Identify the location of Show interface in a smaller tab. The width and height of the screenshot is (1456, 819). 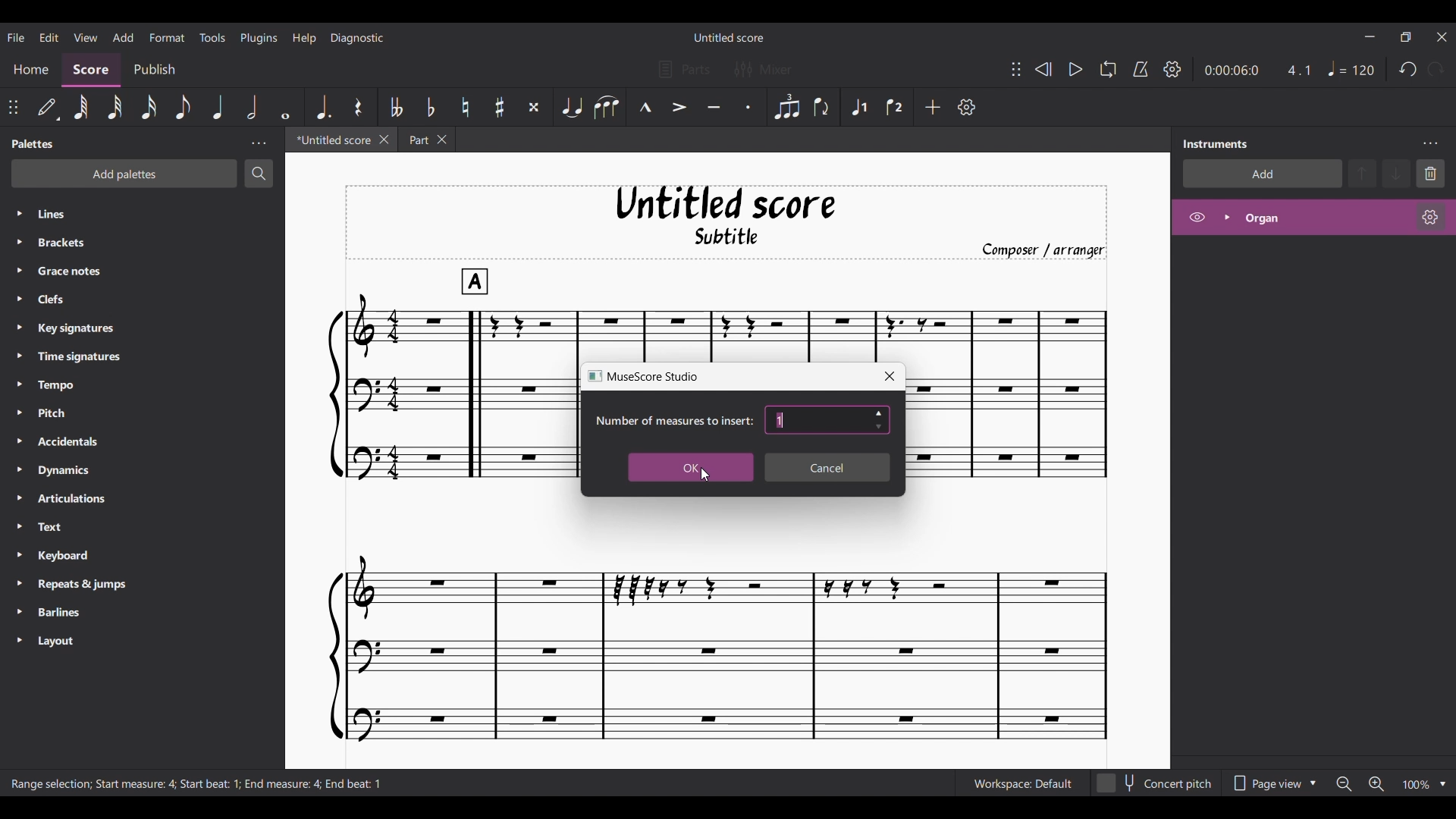
(1405, 36).